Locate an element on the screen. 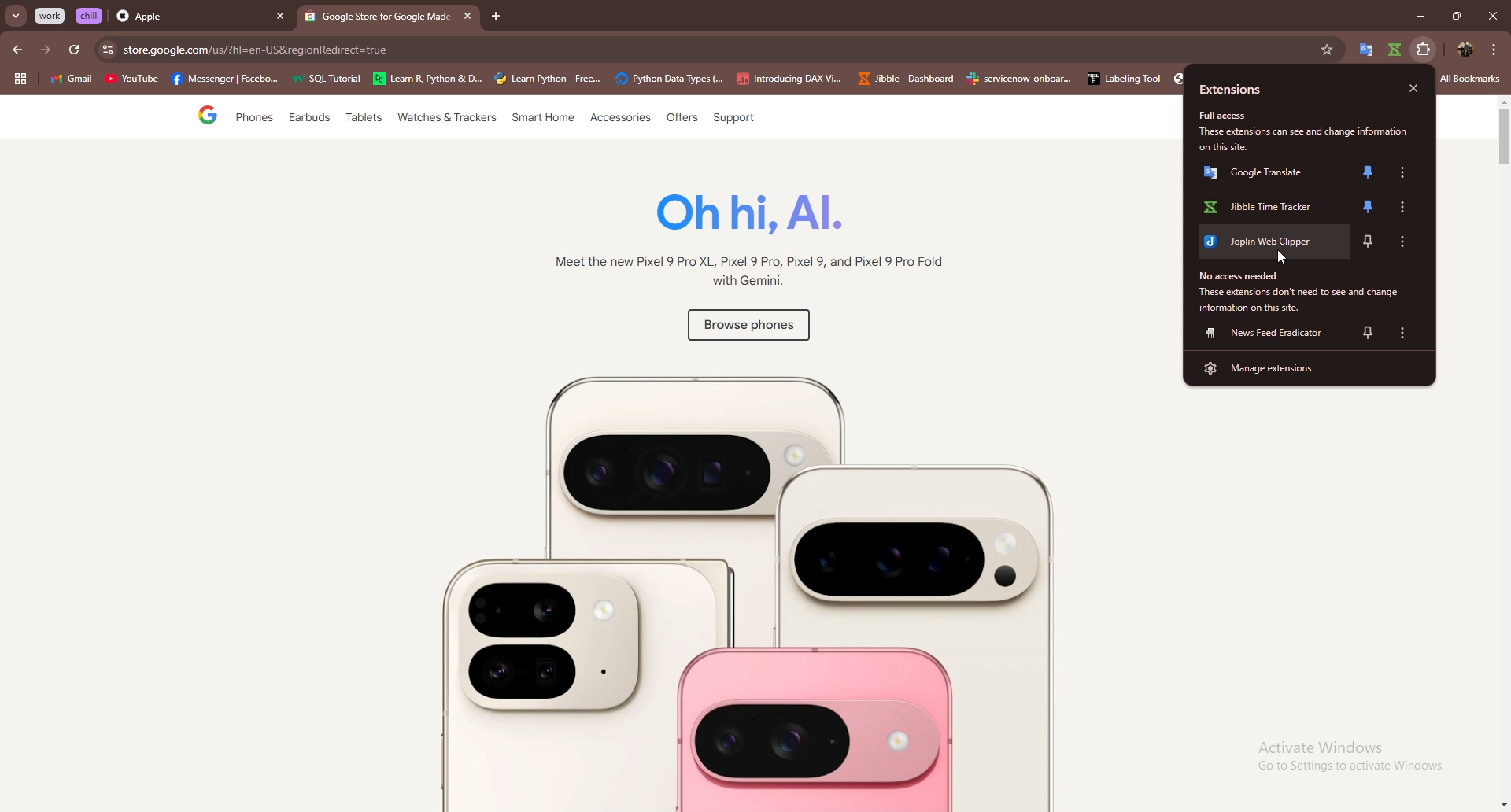 The image size is (1511, 812). close tab is located at coordinates (465, 16).